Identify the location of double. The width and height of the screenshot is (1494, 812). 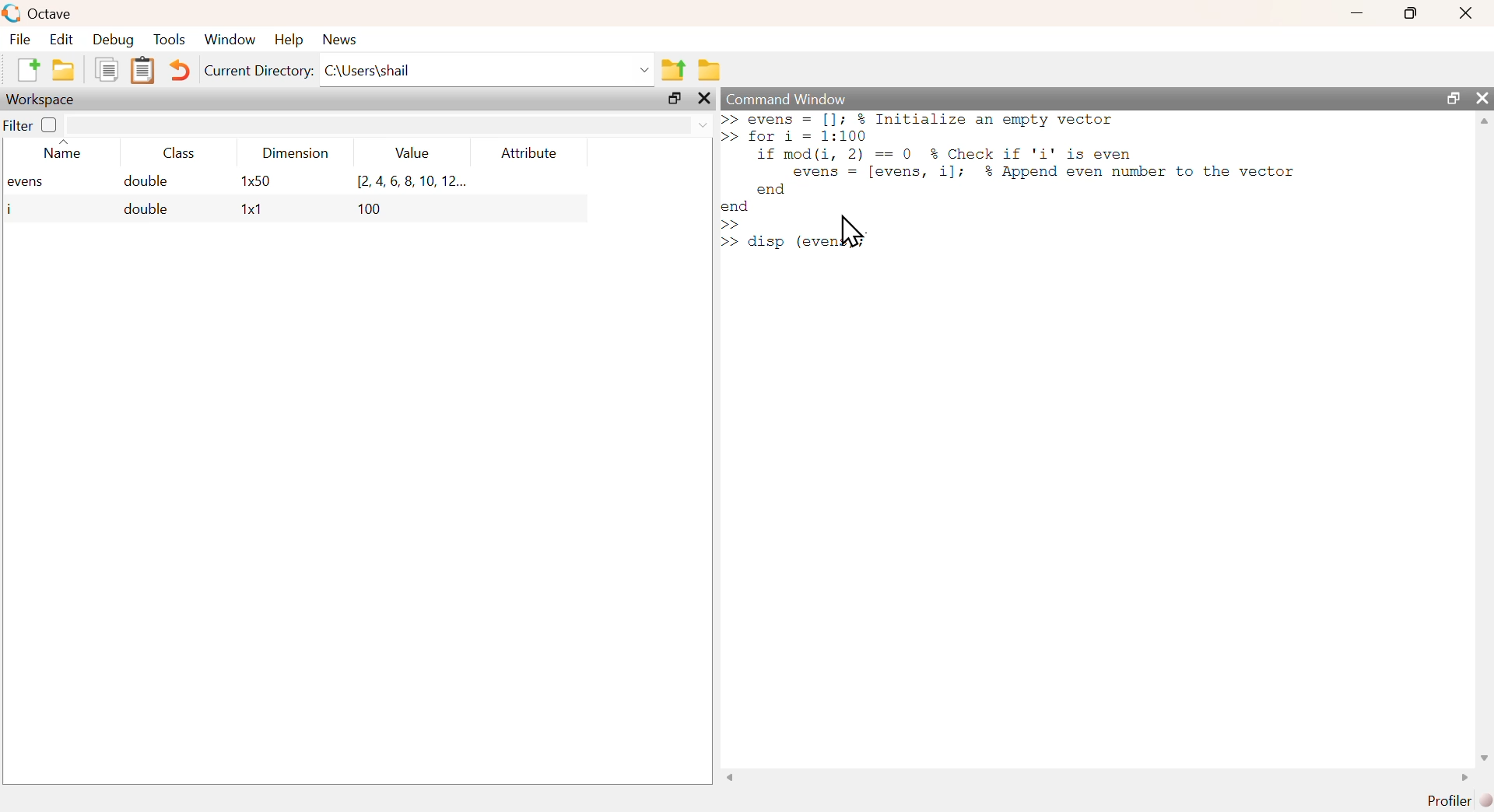
(150, 182).